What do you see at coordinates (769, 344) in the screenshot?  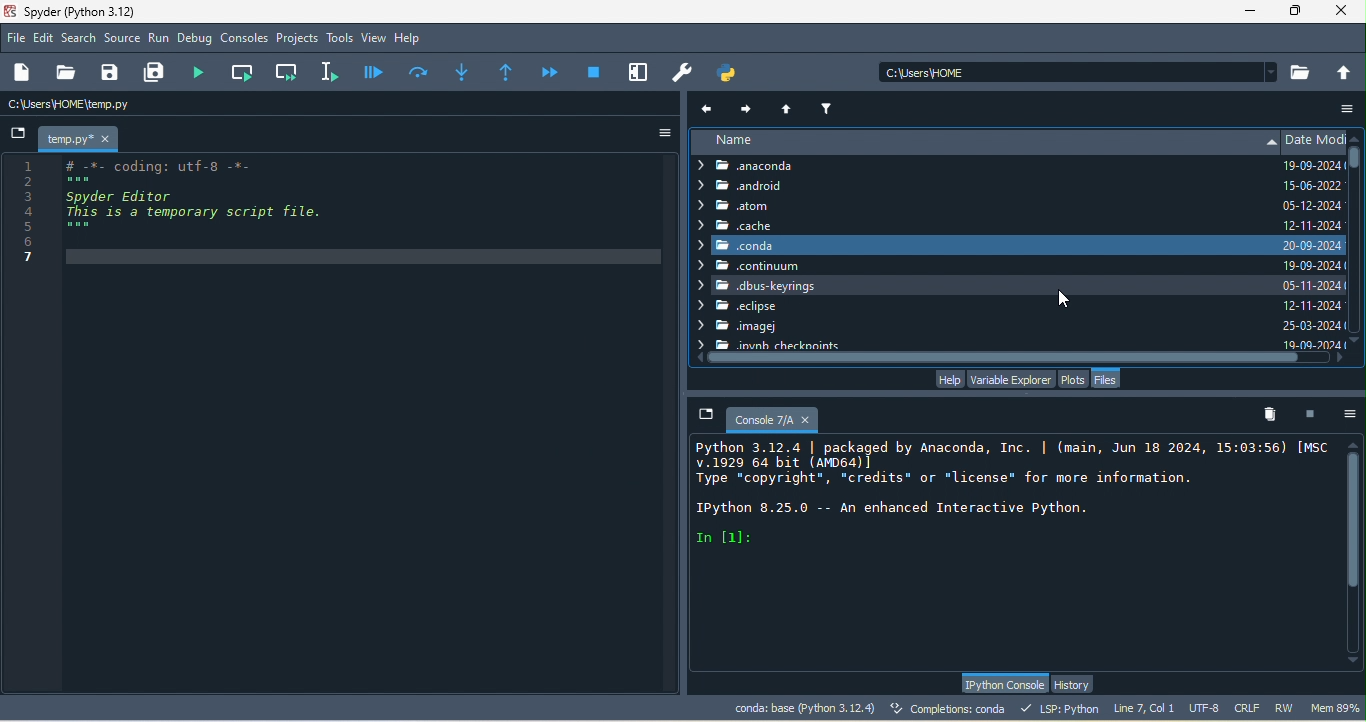 I see `checkpoints` at bounding box center [769, 344].